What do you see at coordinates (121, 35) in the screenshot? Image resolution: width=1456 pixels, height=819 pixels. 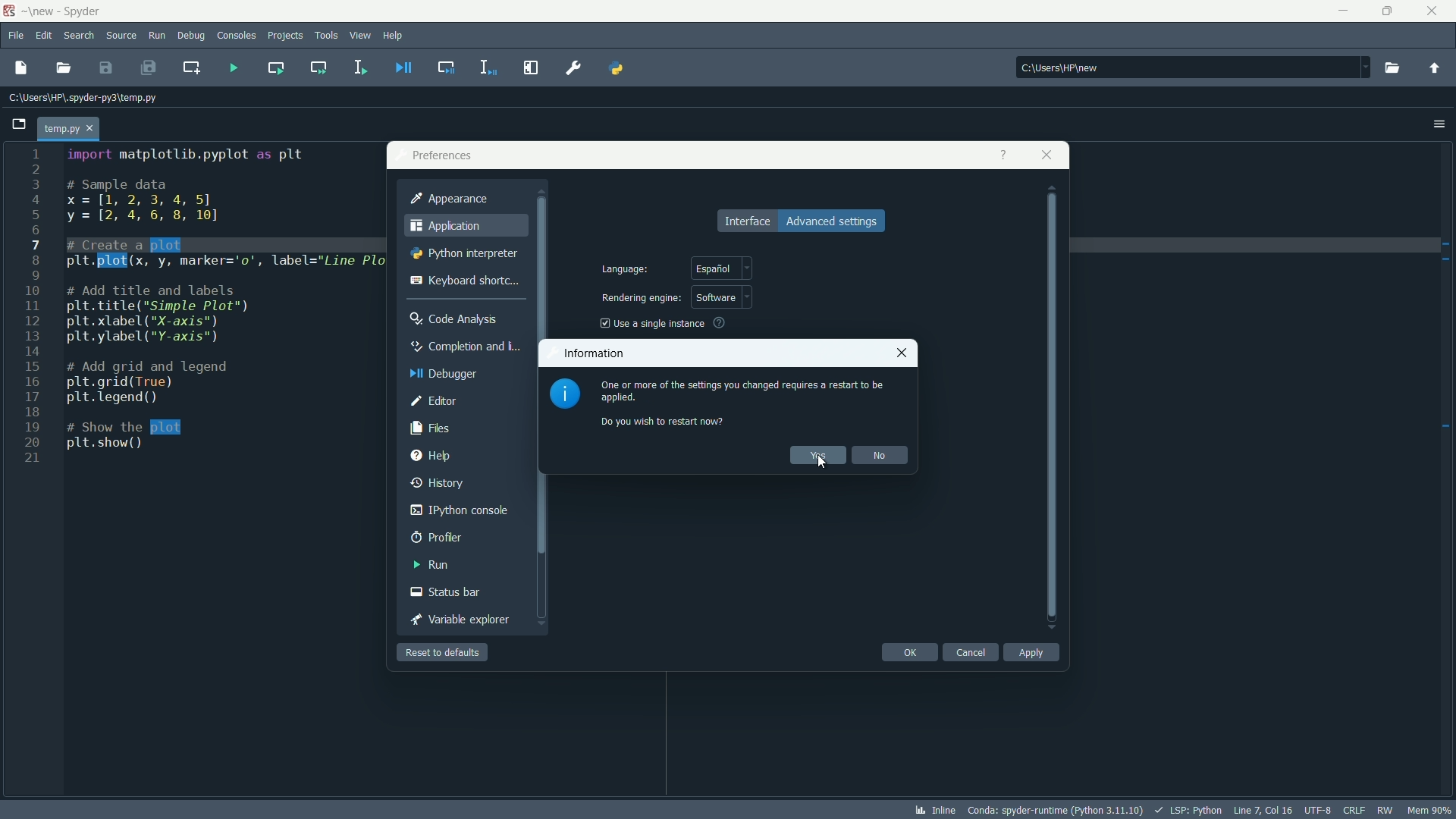 I see `source` at bounding box center [121, 35].